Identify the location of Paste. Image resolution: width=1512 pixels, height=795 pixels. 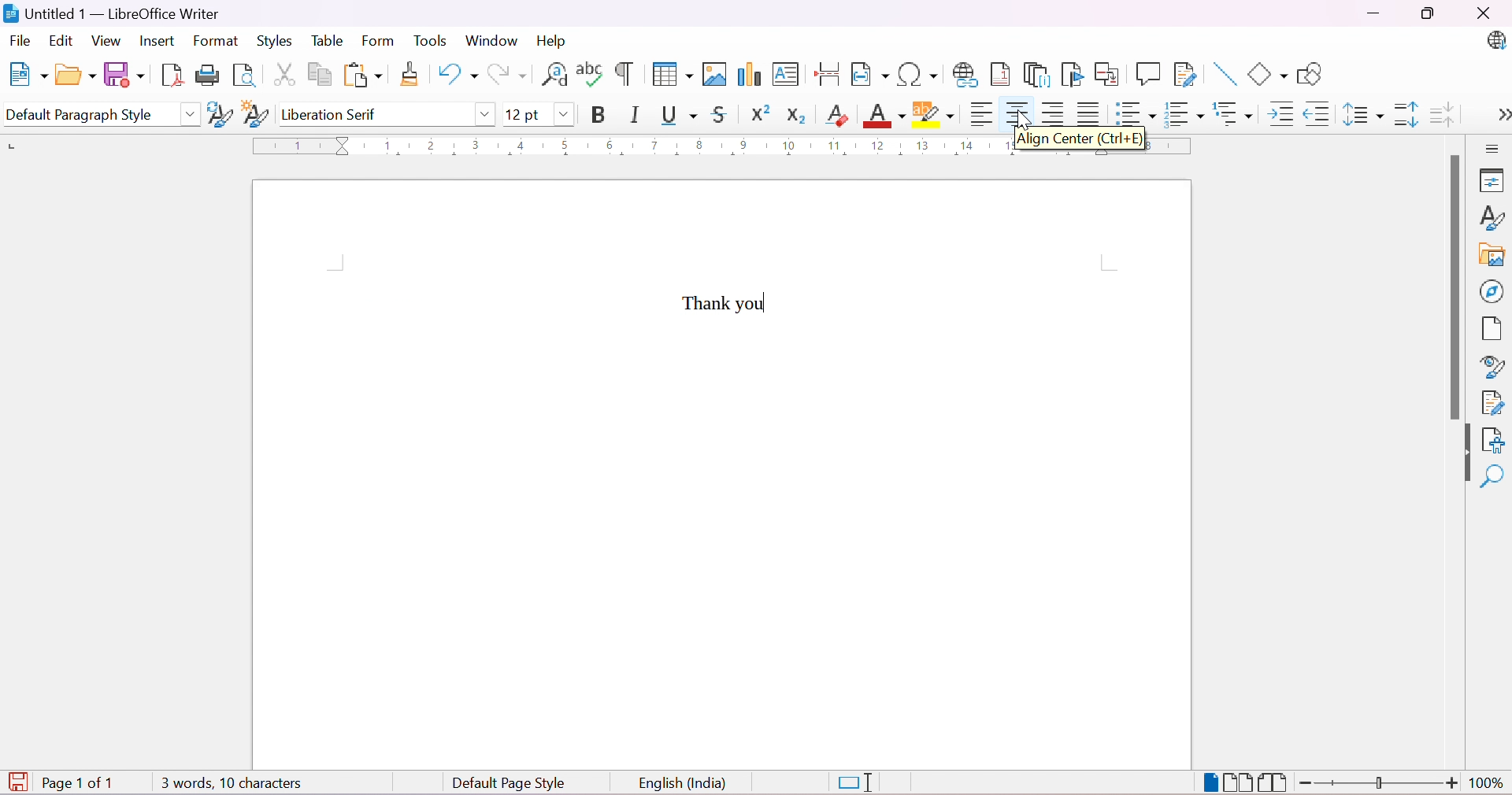
(361, 75).